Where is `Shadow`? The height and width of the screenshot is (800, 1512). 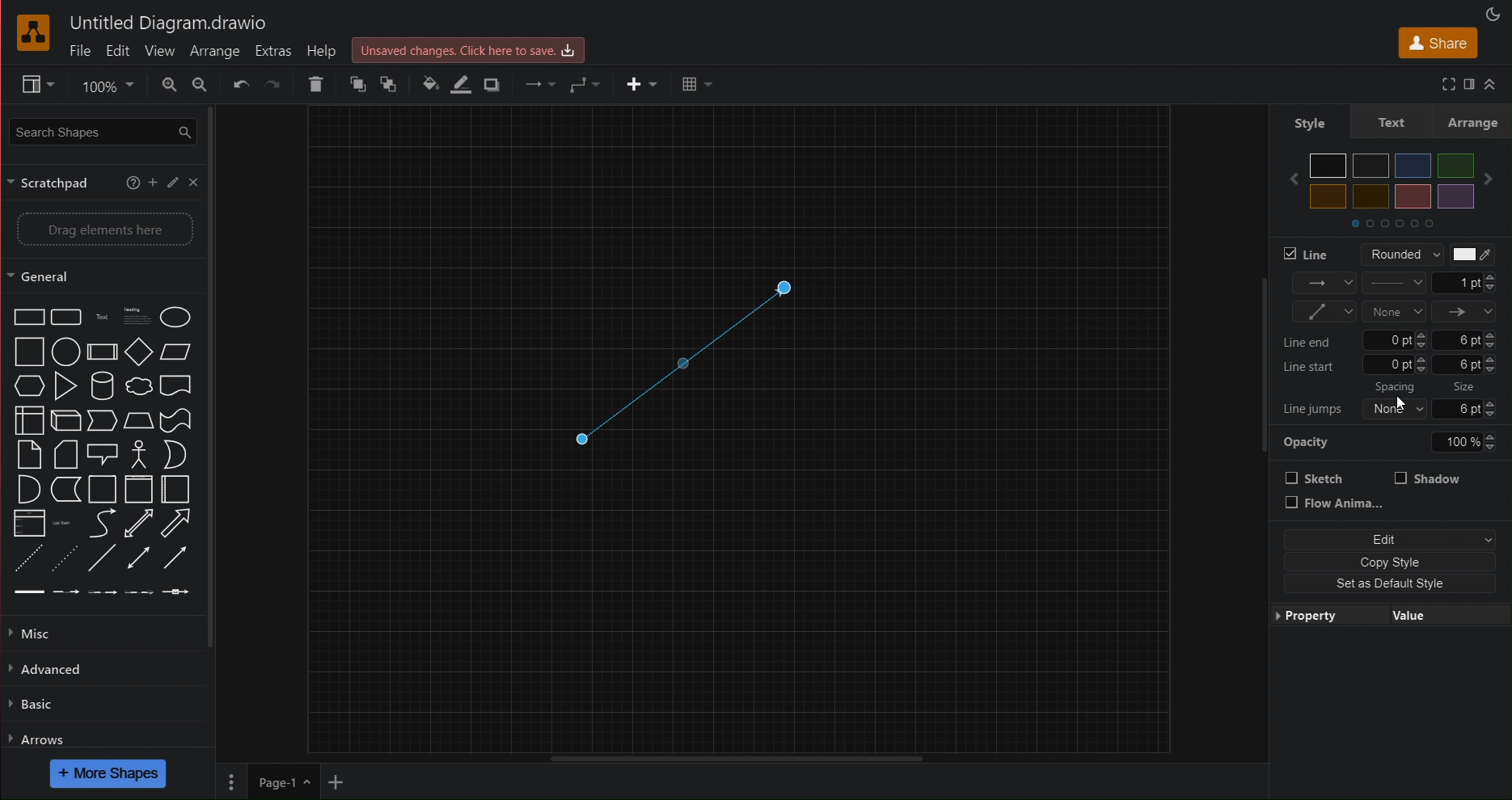
Shadow is located at coordinates (494, 86).